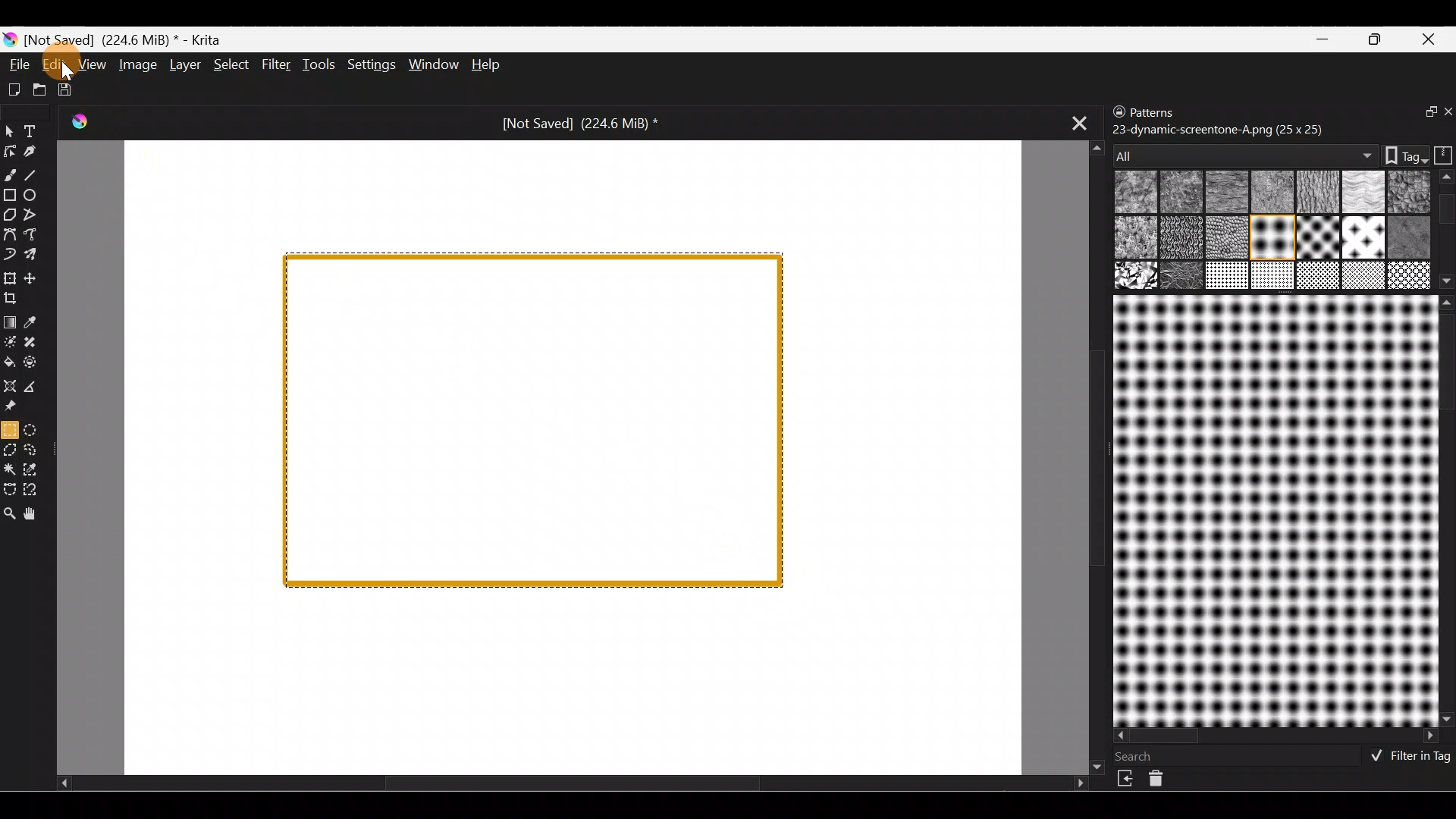 The width and height of the screenshot is (1456, 819). I want to click on Dynamic brush tool, so click(10, 255).